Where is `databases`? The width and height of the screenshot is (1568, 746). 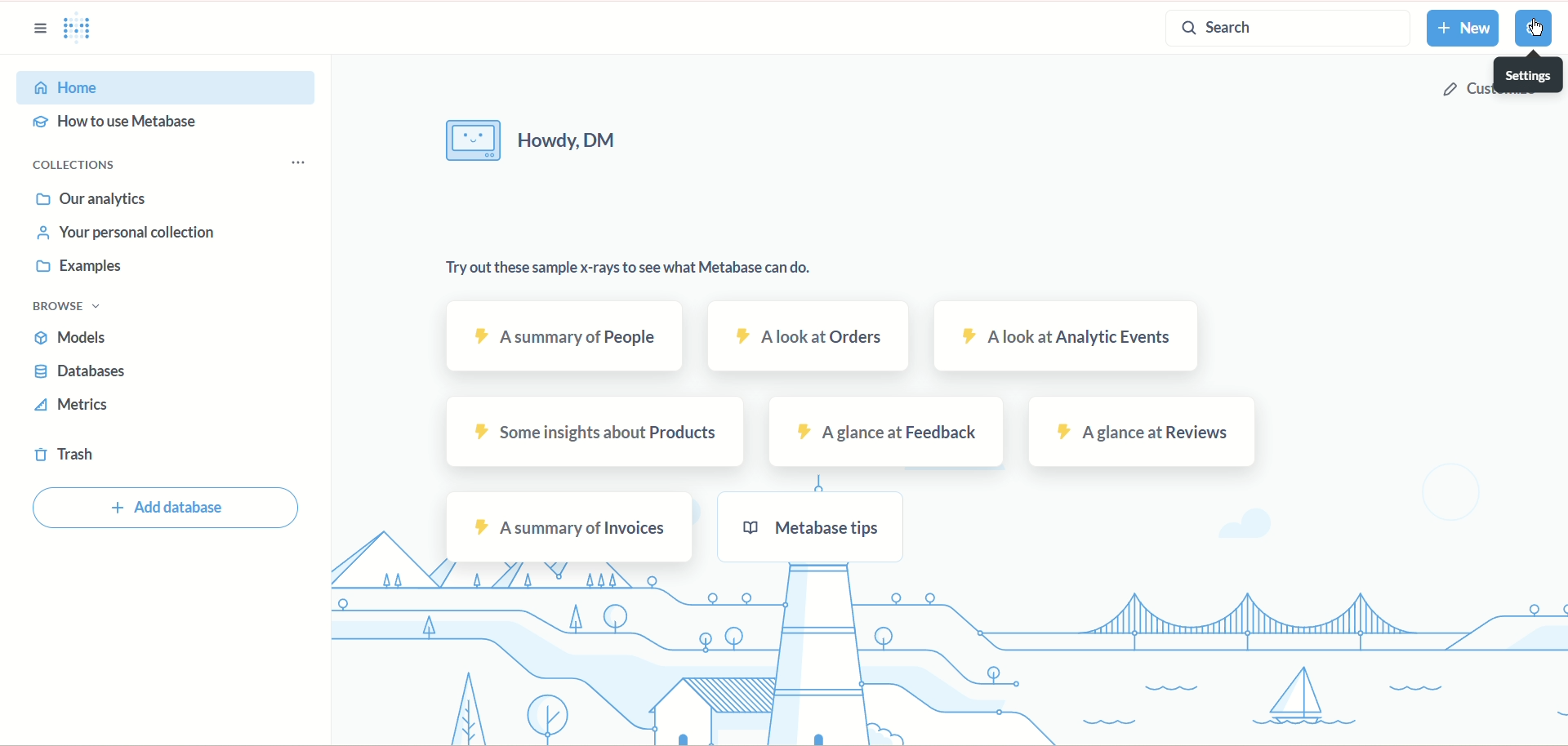
databases is located at coordinates (85, 371).